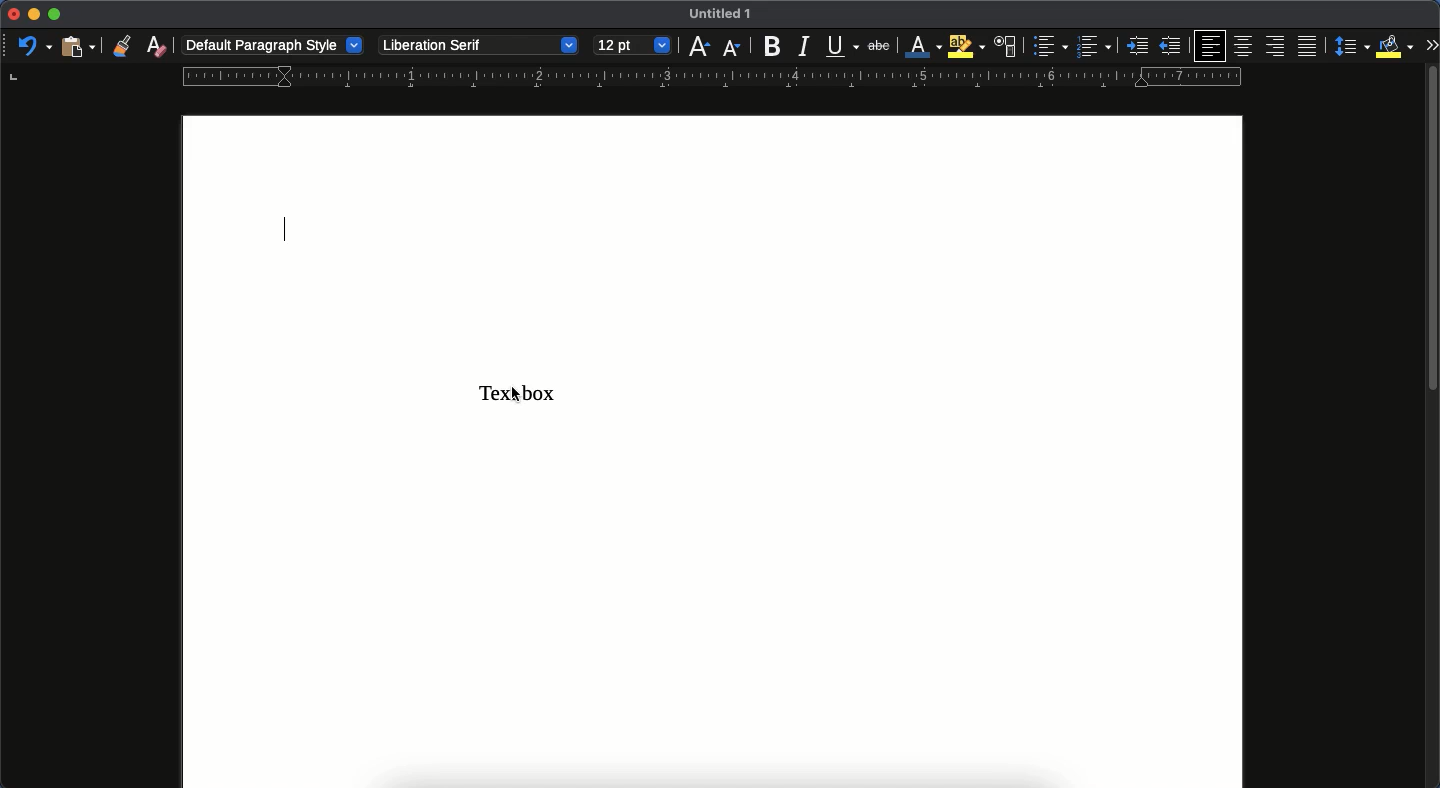 This screenshot has height=788, width=1440. I want to click on paste, so click(76, 46).